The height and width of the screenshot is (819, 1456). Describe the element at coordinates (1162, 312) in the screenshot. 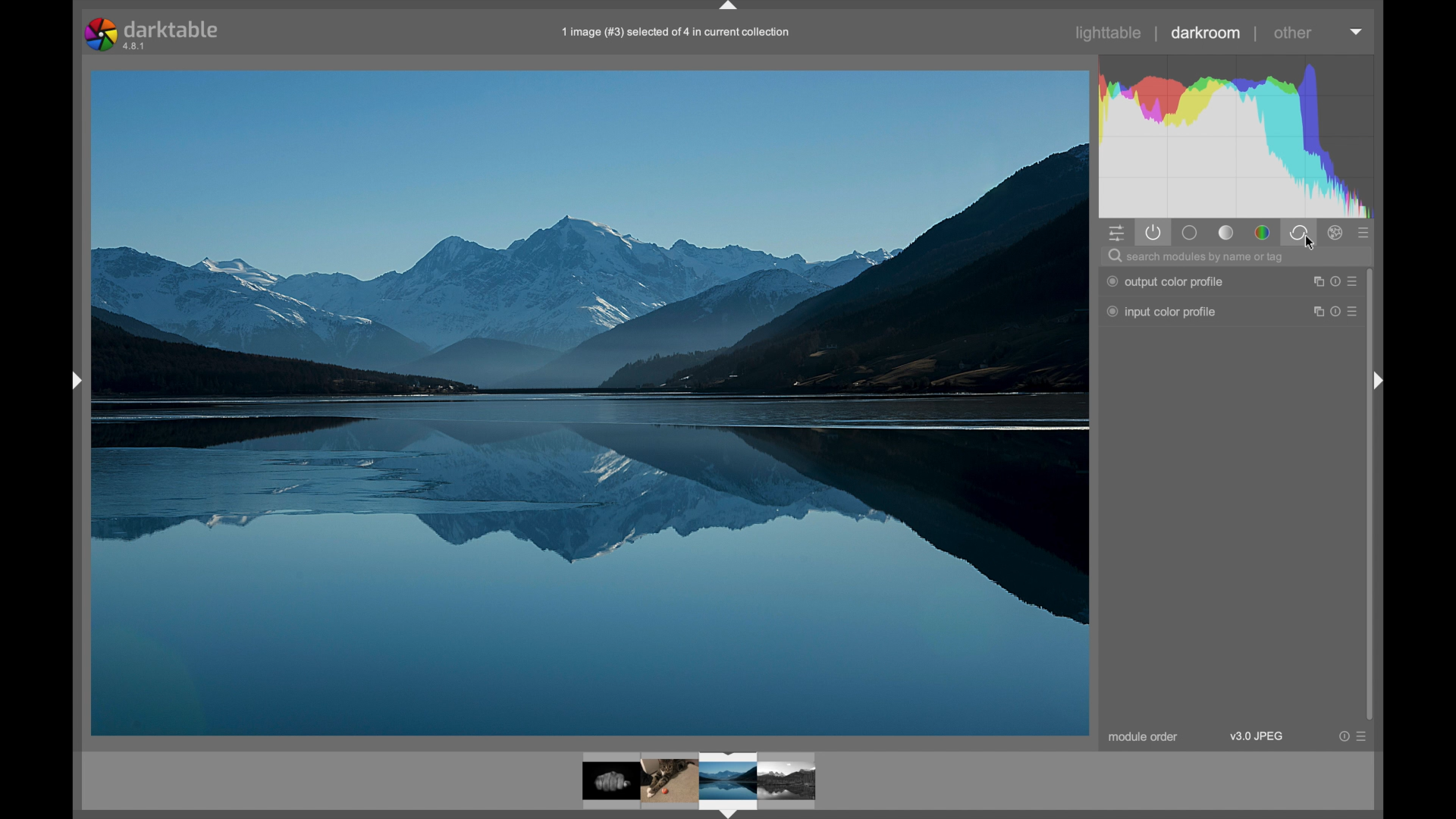

I see `input color profile` at that location.